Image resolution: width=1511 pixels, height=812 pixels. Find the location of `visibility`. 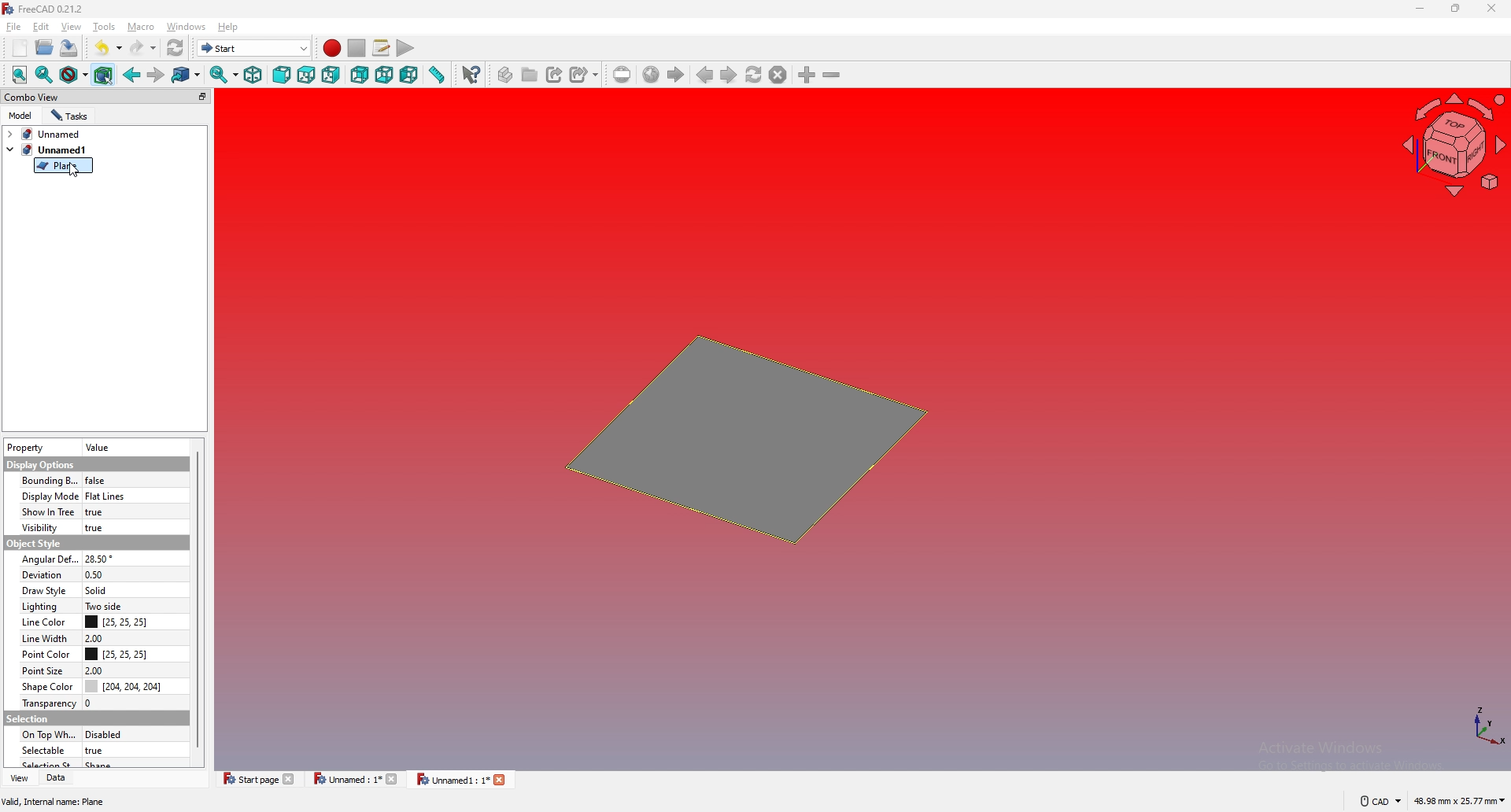

visibility is located at coordinates (40, 527).